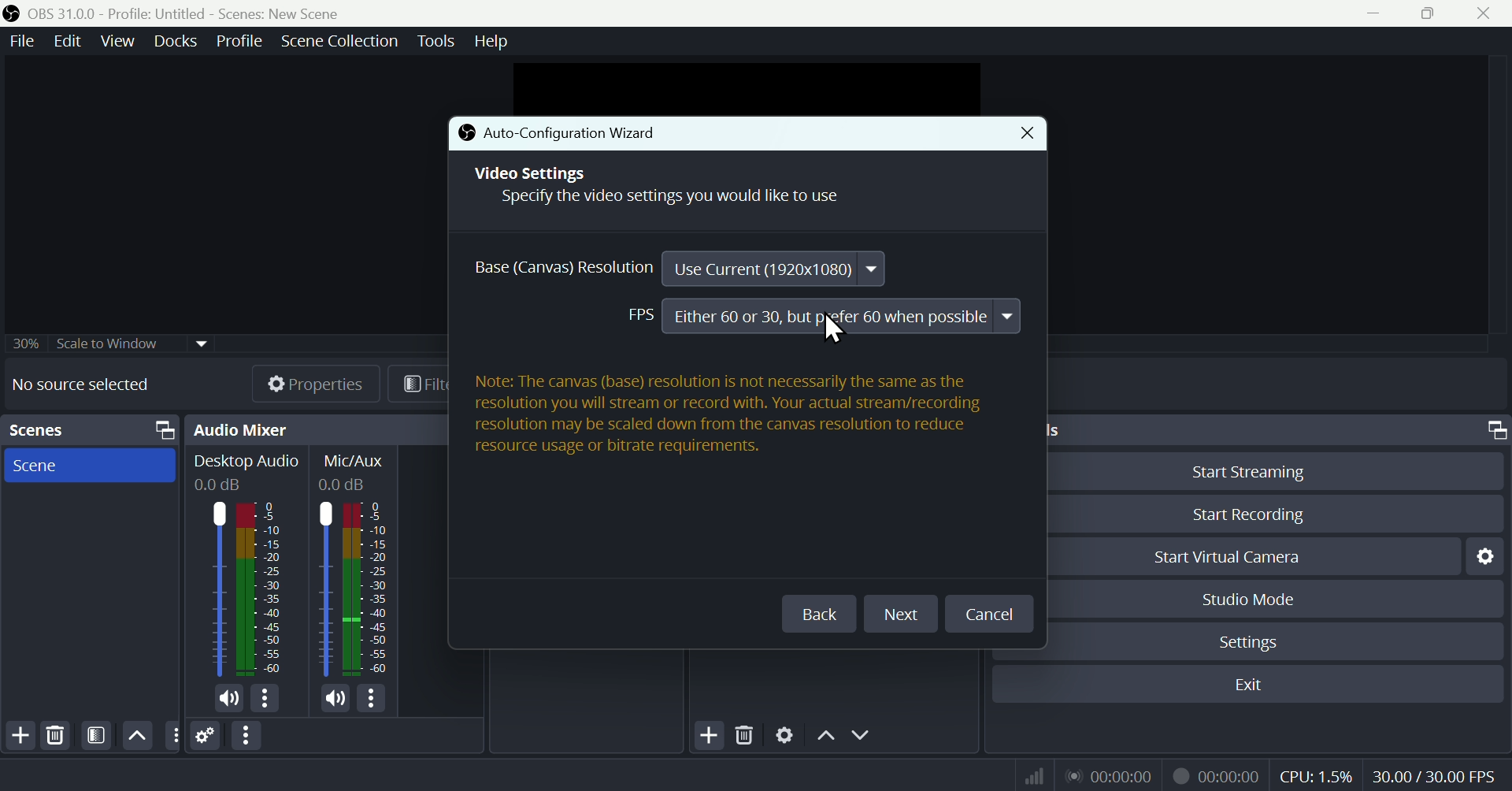 Image resolution: width=1512 pixels, height=791 pixels. Describe the element at coordinates (494, 39) in the screenshot. I see `help` at that location.